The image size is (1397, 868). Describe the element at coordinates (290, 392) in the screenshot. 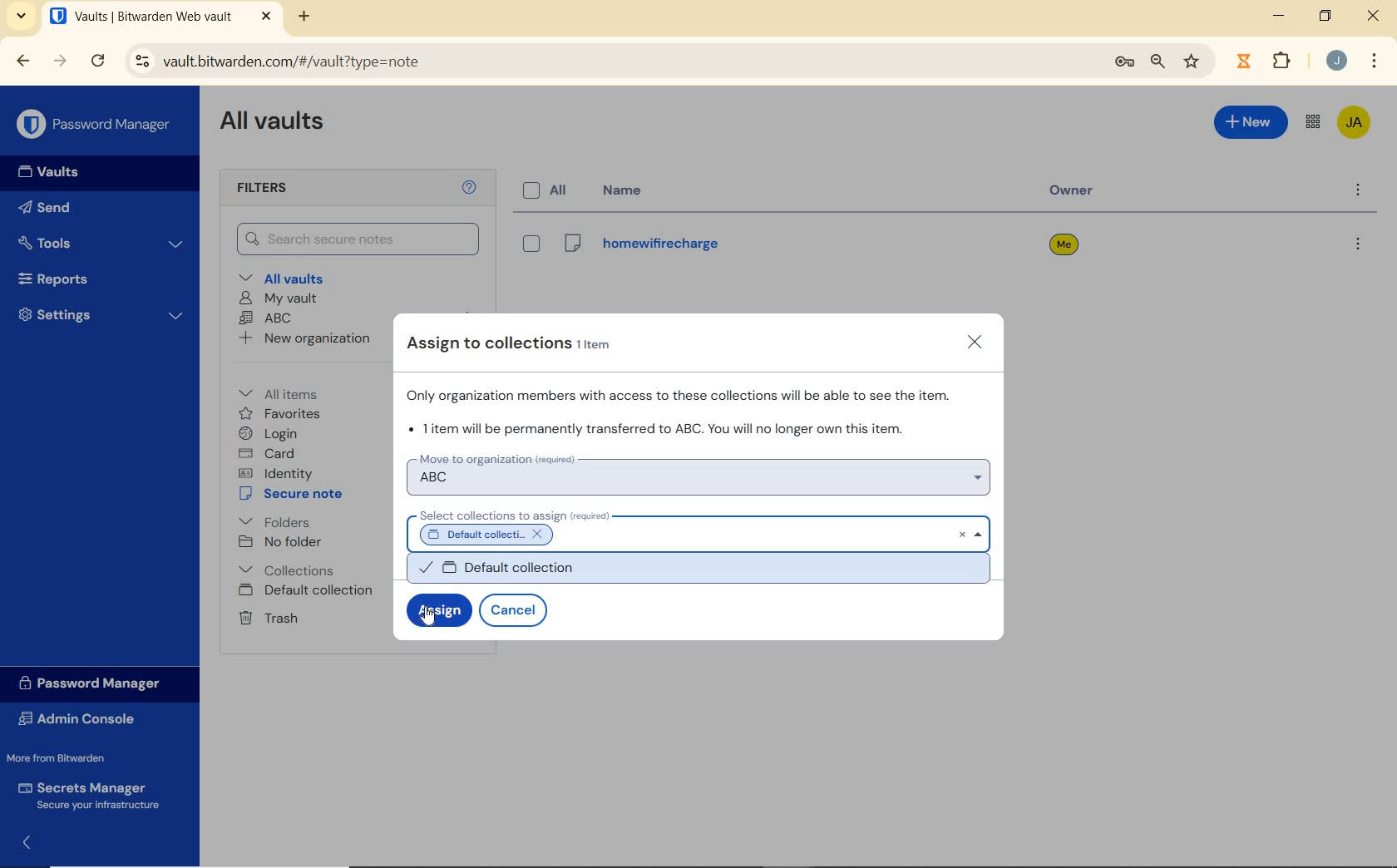

I see `All items` at that location.